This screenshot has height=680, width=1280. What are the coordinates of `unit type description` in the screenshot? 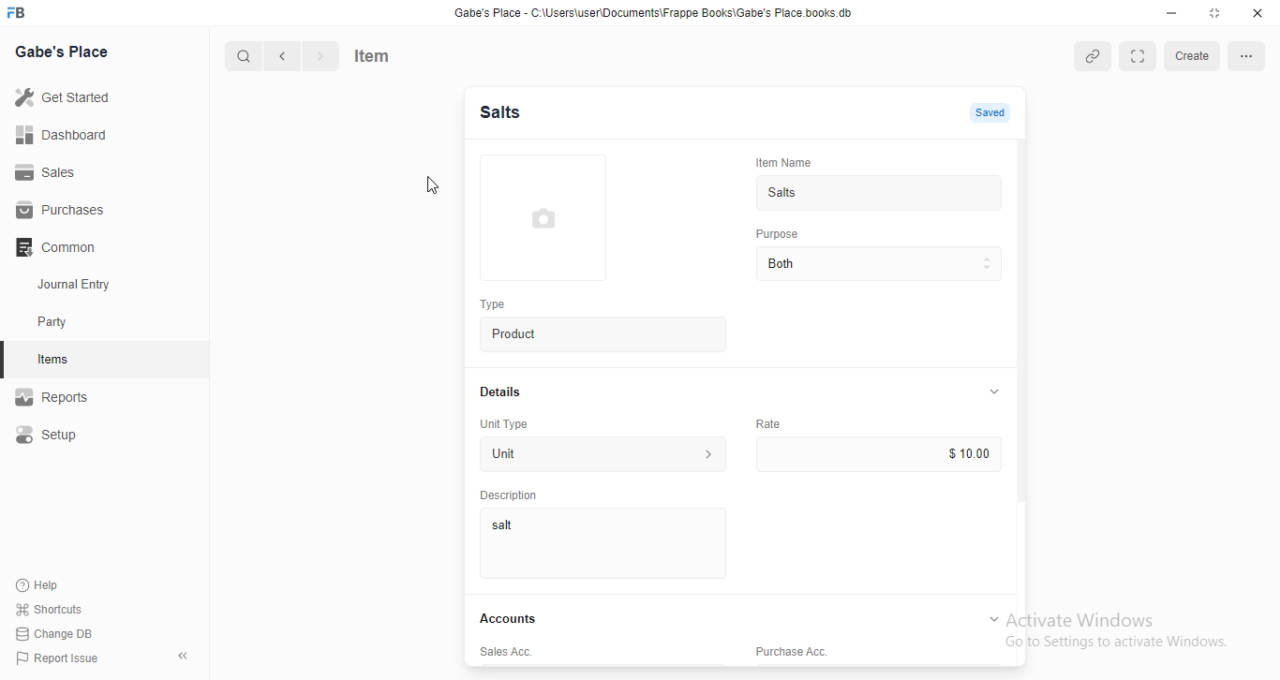 It's located at (707, 453).